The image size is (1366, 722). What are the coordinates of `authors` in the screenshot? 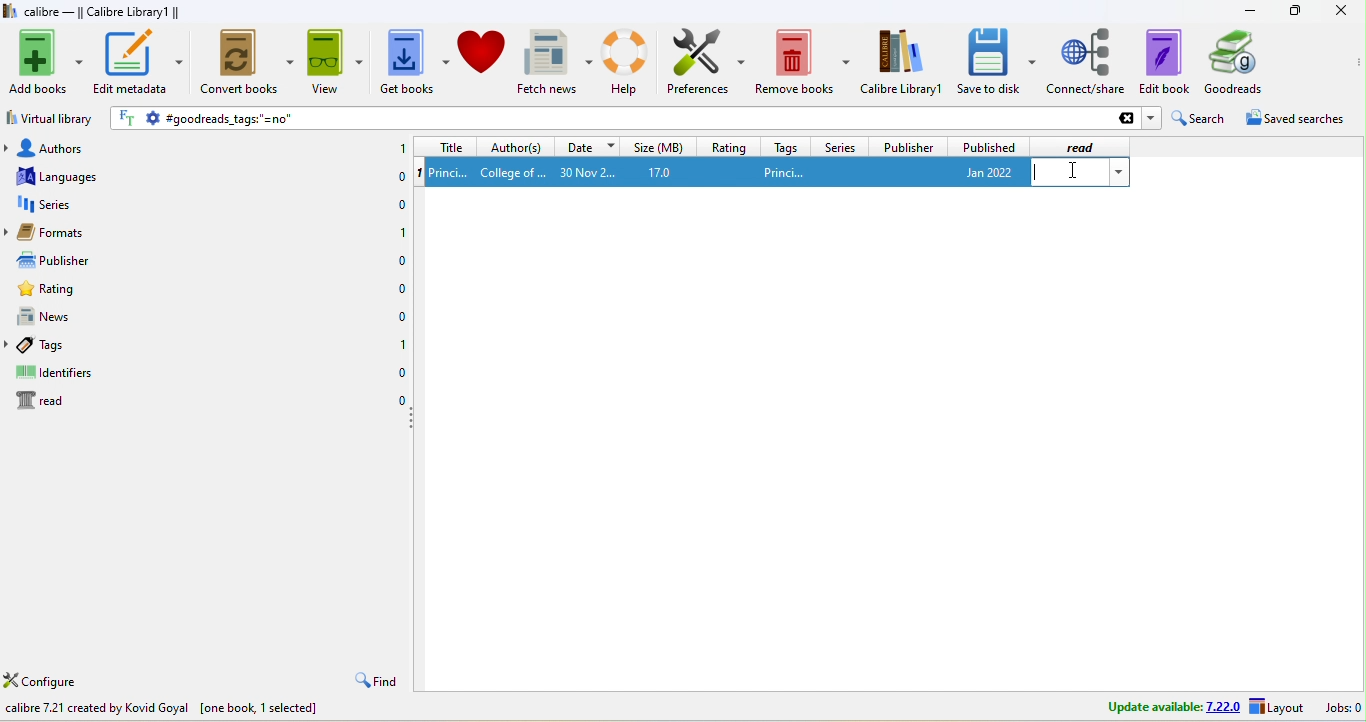 It's located at (61, 148).